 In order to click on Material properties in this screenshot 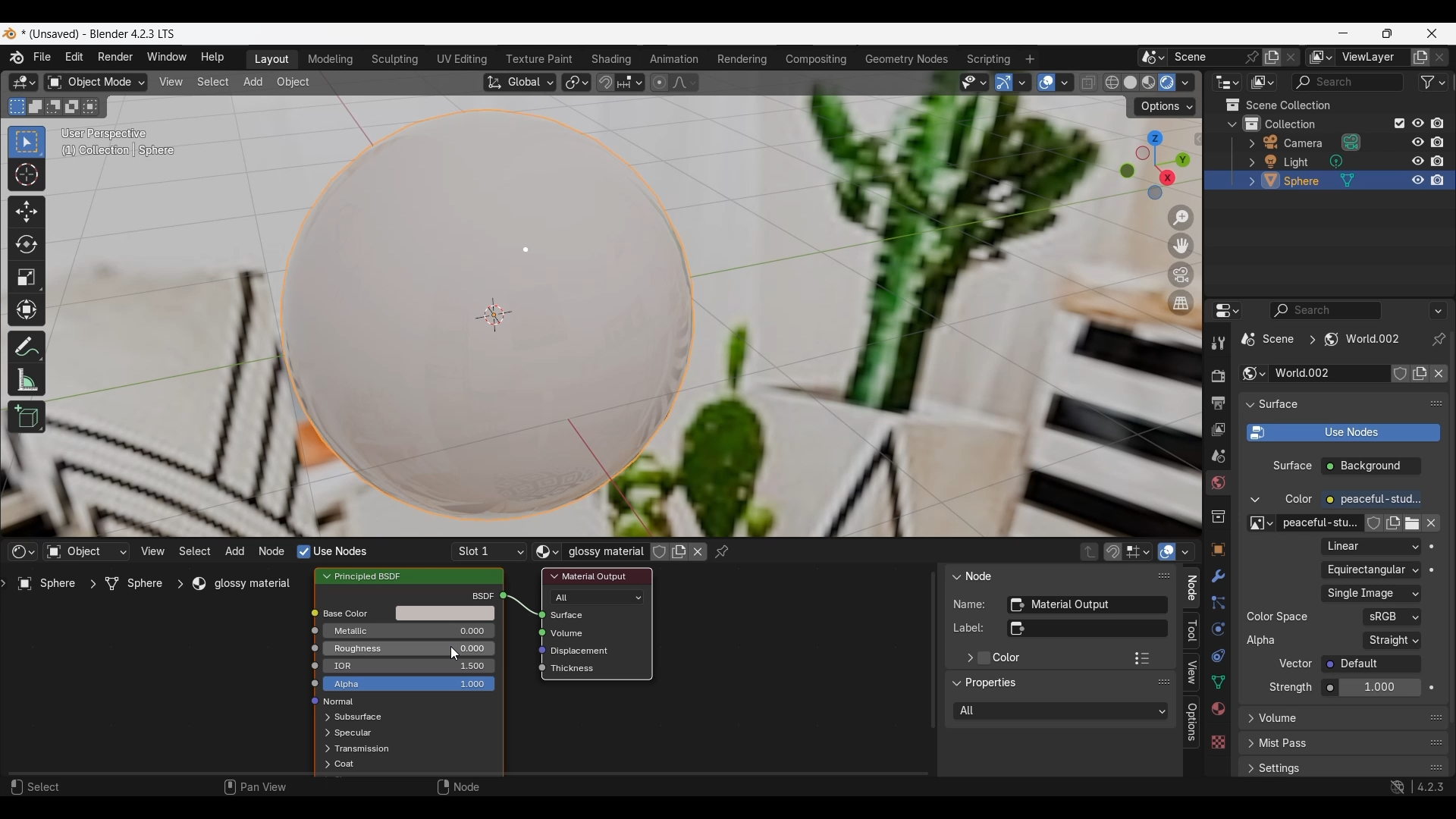, I will do `click(1218, 708)`.